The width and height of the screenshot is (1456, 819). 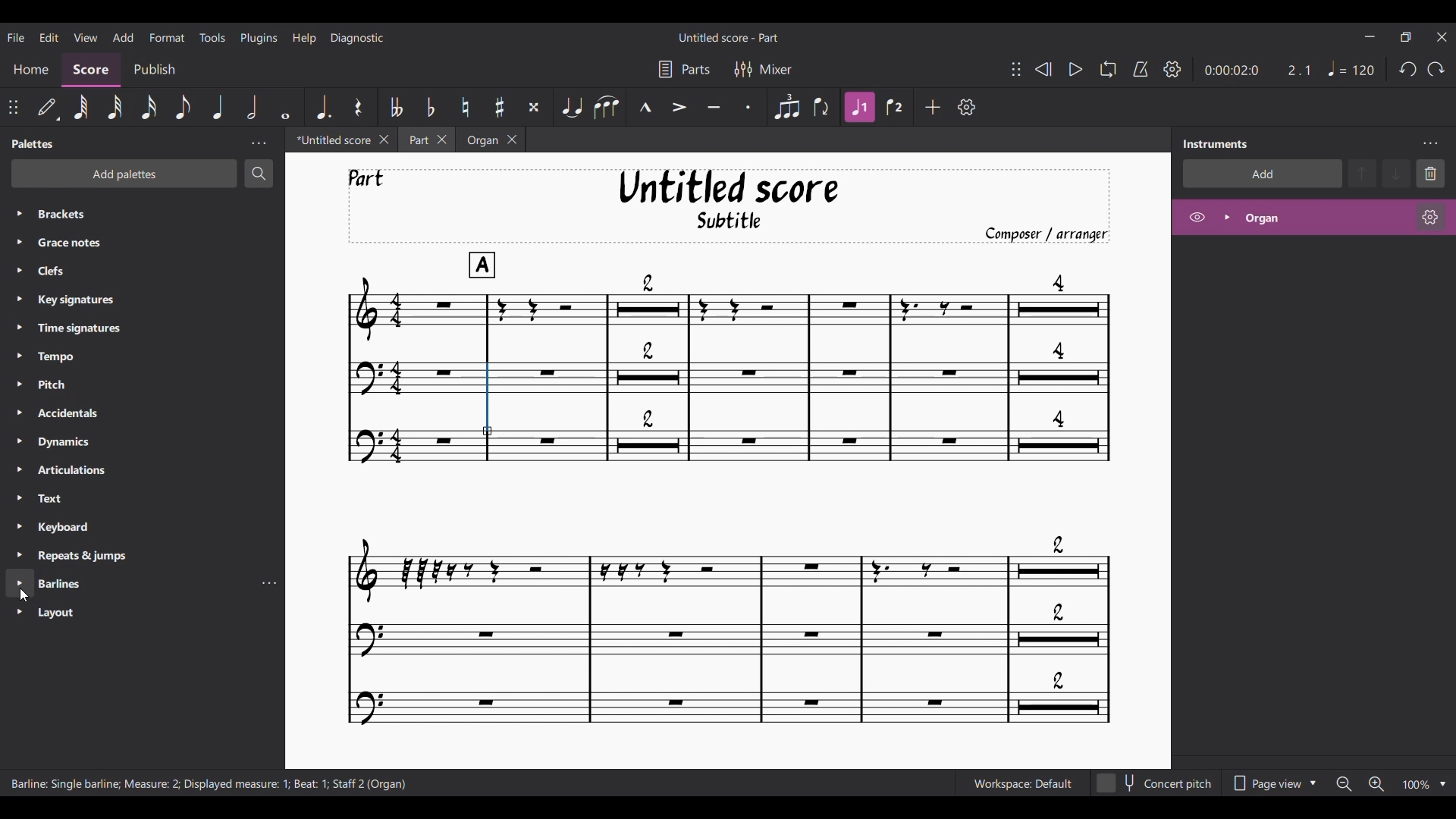 What do you see at coordinates (1258, 70) in the screenshot?
I see `Current ratio and duration of score` at bounding box center [1258, 70].